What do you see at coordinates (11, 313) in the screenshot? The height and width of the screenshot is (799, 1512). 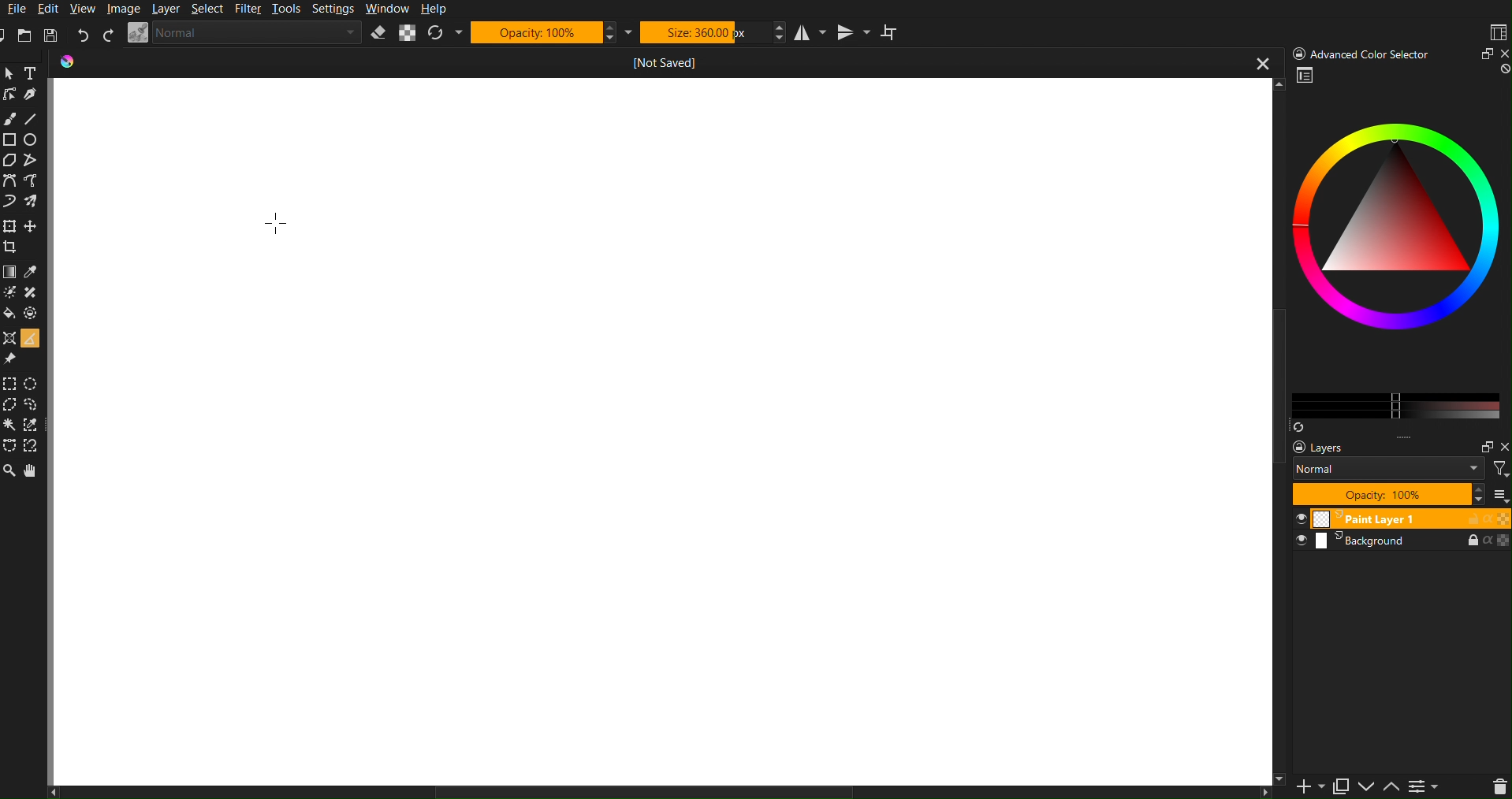 I see `Fill` at bounding box center [11, 313].